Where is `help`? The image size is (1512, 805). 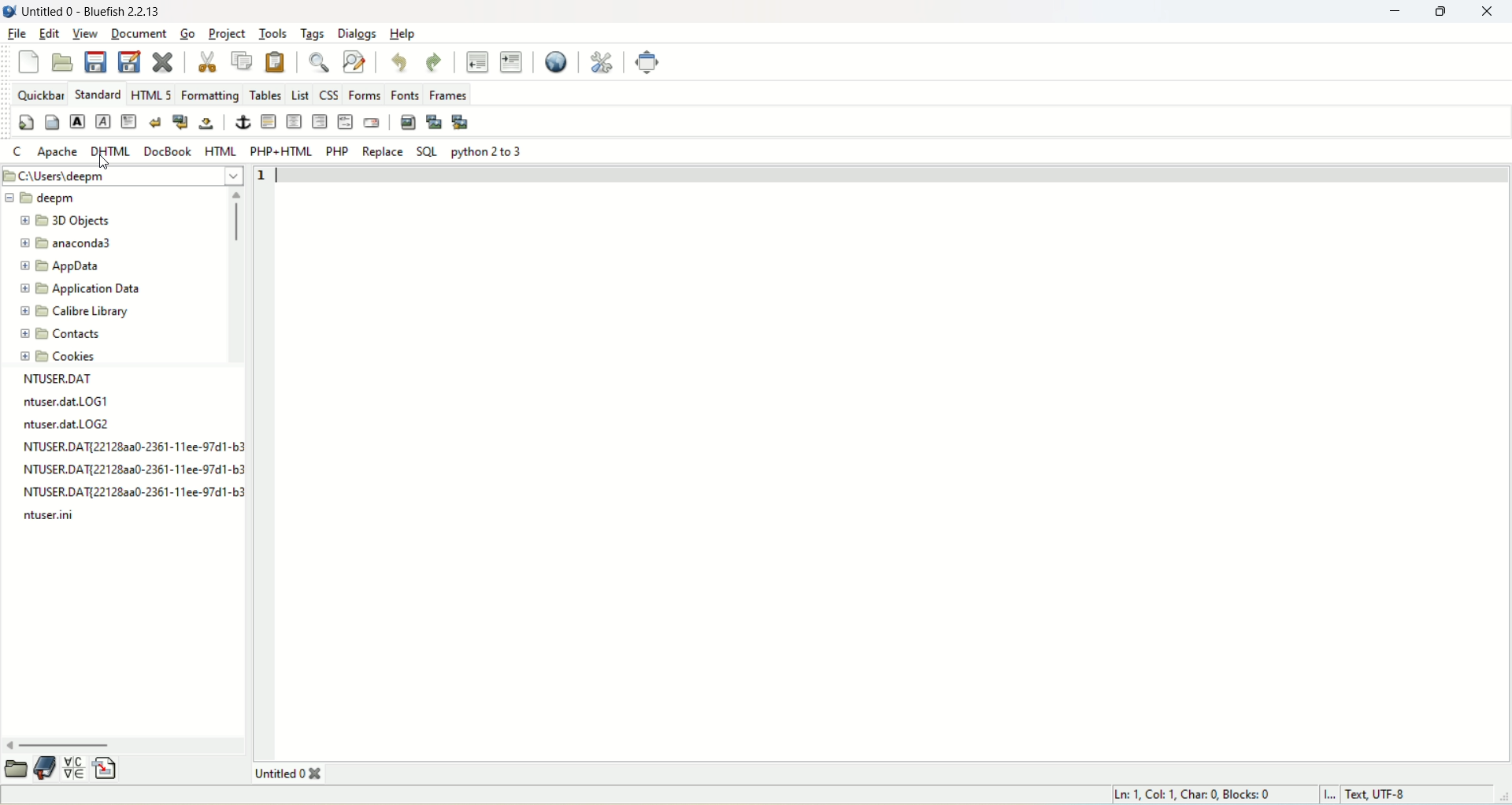
help is located at coordinates (402, 35).